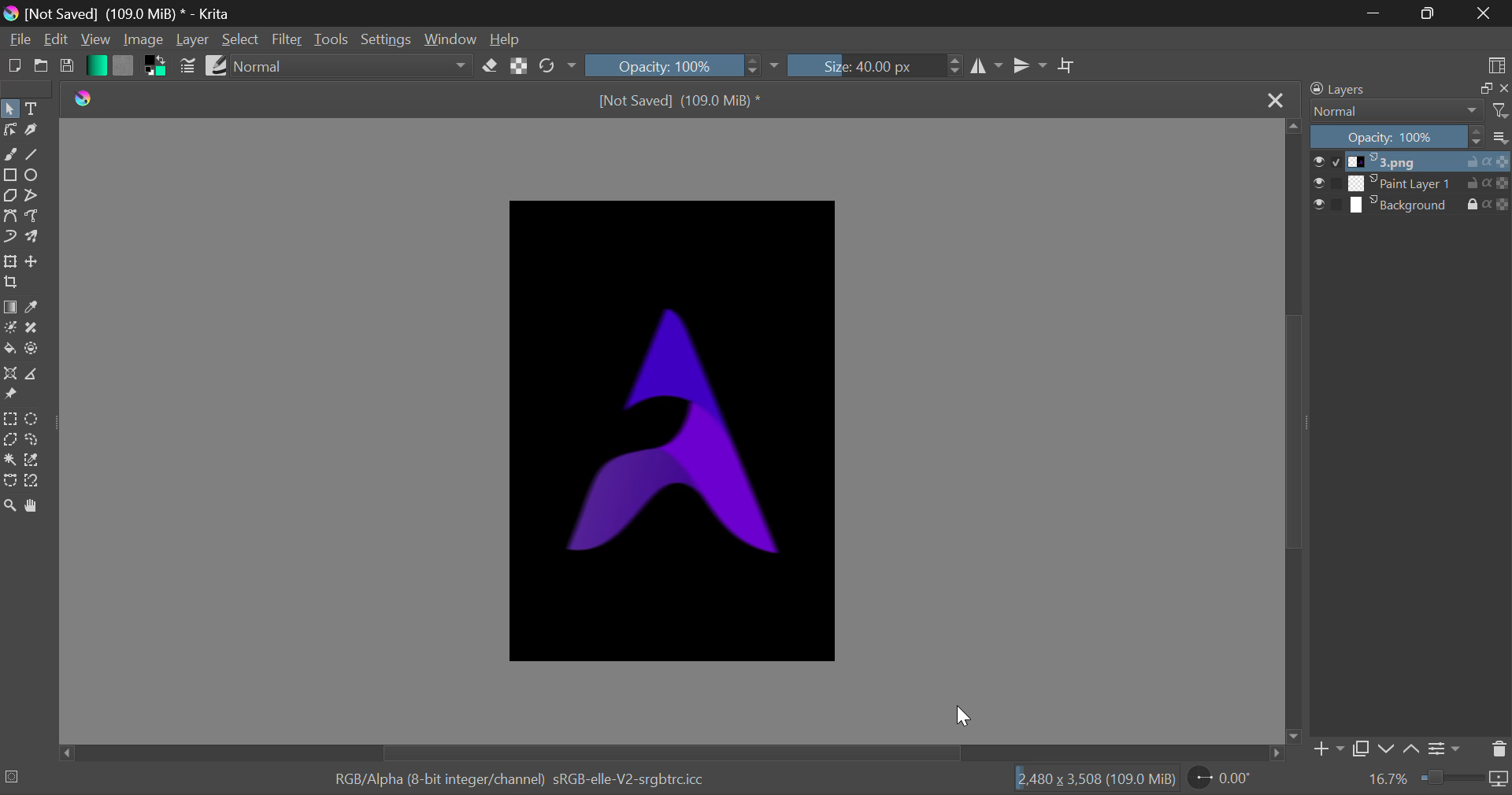 Image resolution: width=1512 pixels, height=795 pixels. I want to click on Move Layer Down, so click(1386, 749).